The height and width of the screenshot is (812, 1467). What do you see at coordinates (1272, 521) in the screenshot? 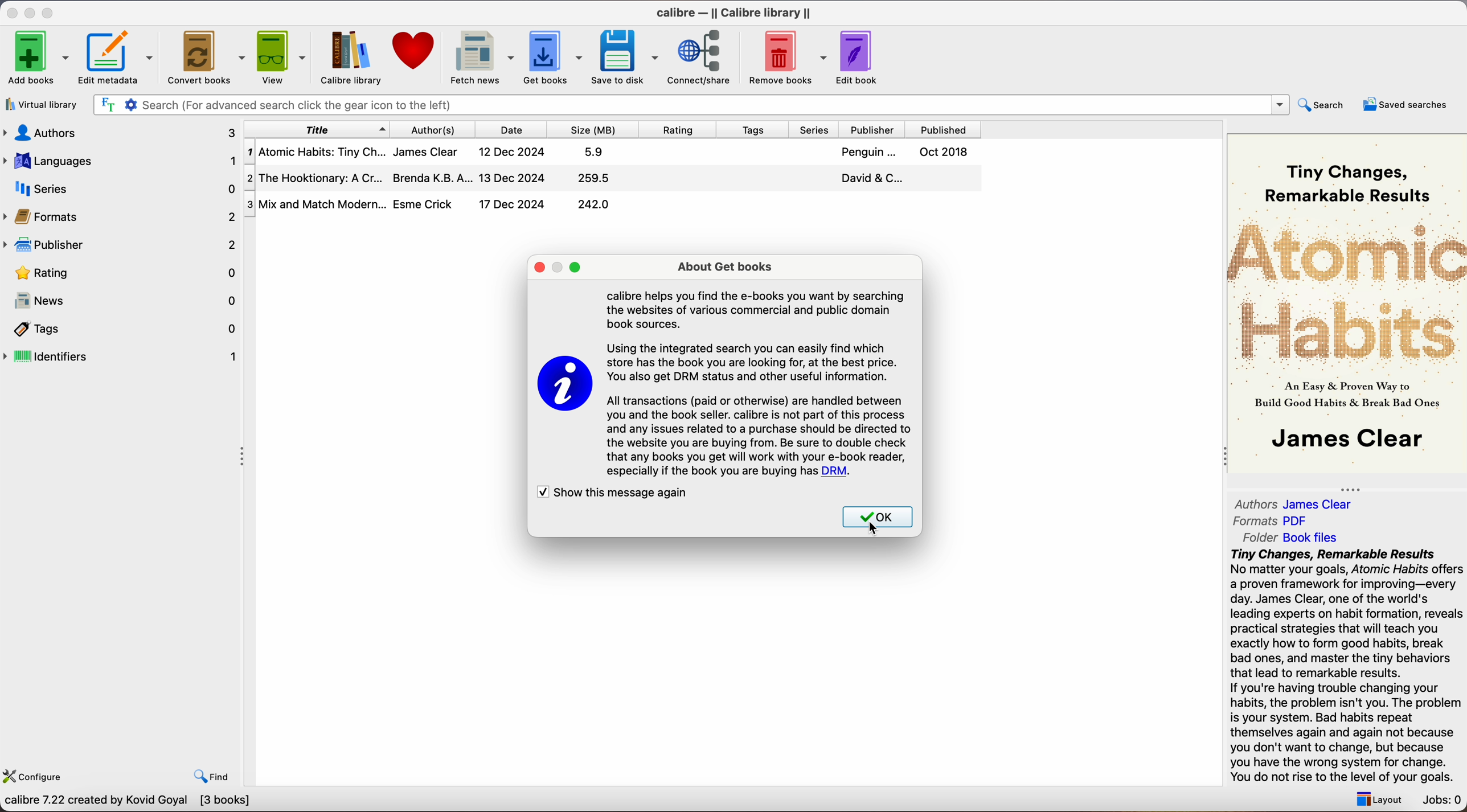
I see `Formats PDF` at bounding box center [1272, 521].